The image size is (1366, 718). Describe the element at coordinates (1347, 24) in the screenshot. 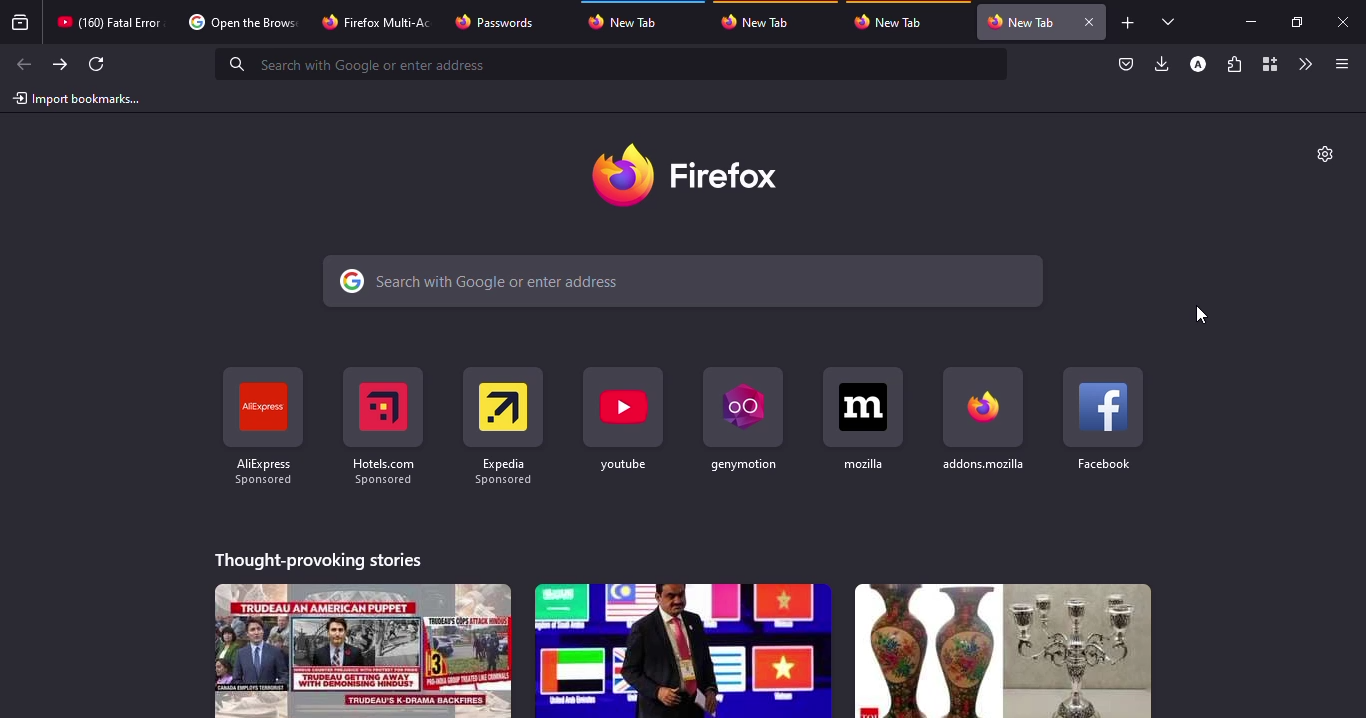

I see `close` at that location.